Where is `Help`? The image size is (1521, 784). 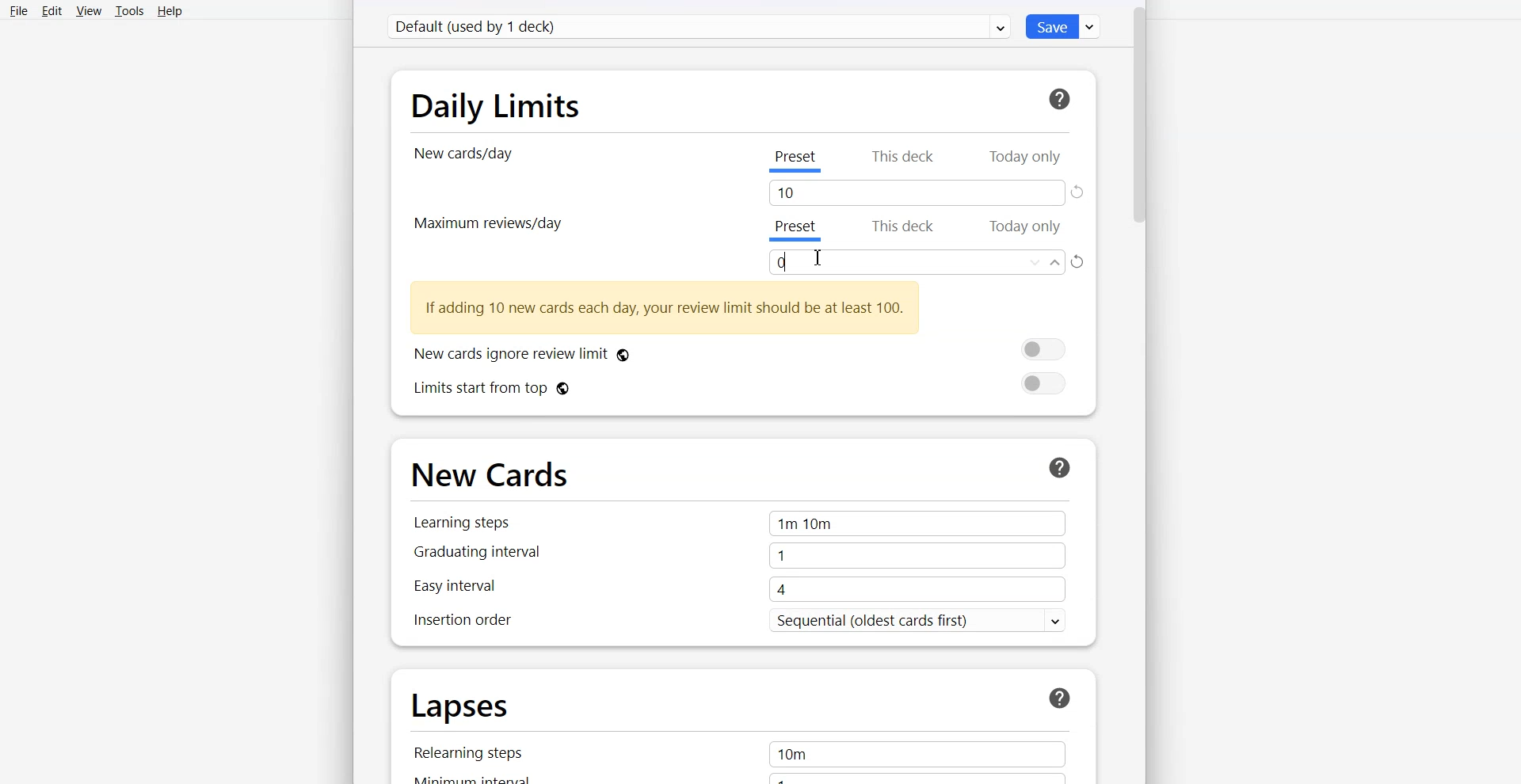
Help is located at coordinates (1058, 466).